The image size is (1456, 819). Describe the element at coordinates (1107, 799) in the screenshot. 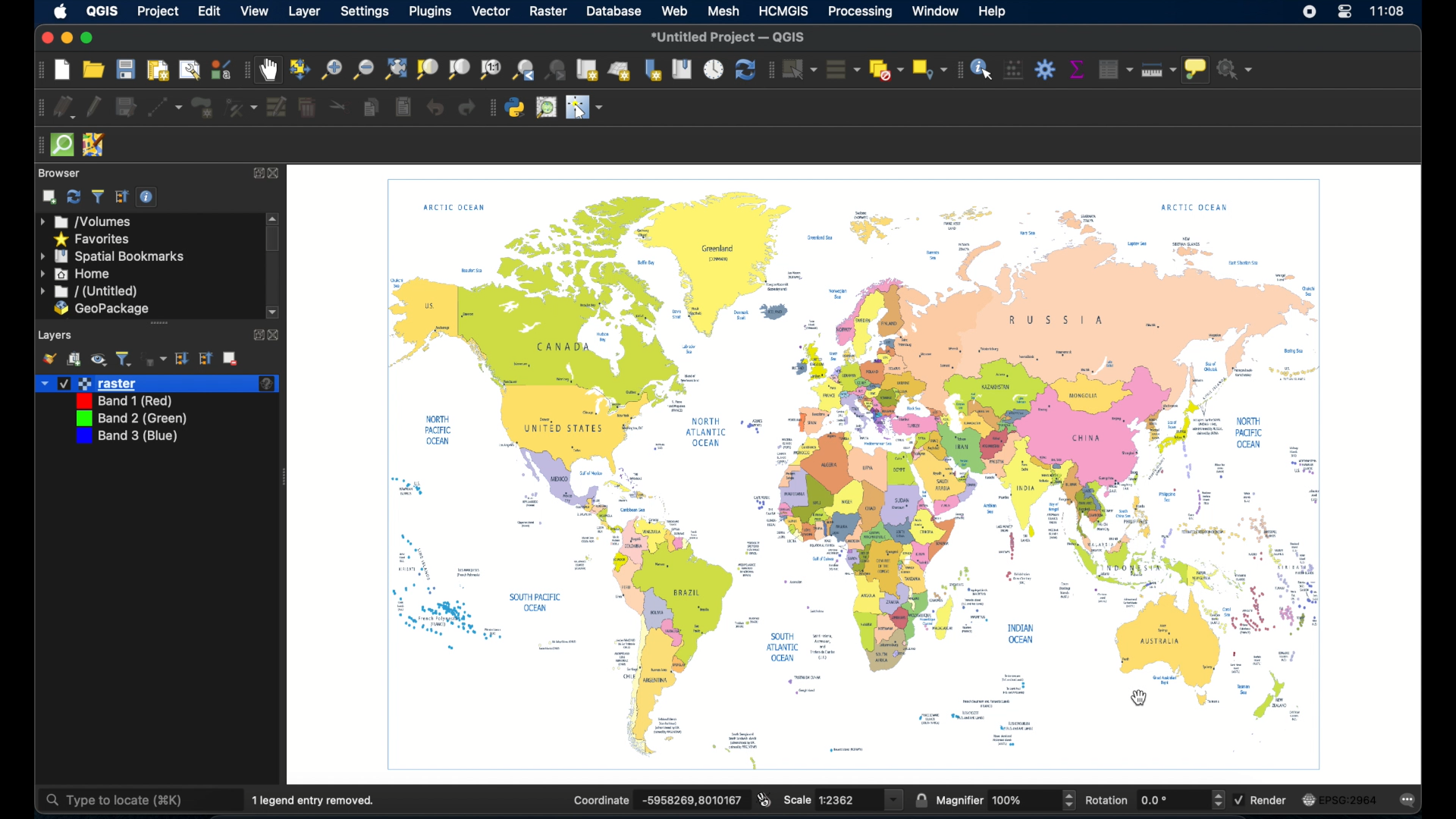

I see `rotations` at that location.